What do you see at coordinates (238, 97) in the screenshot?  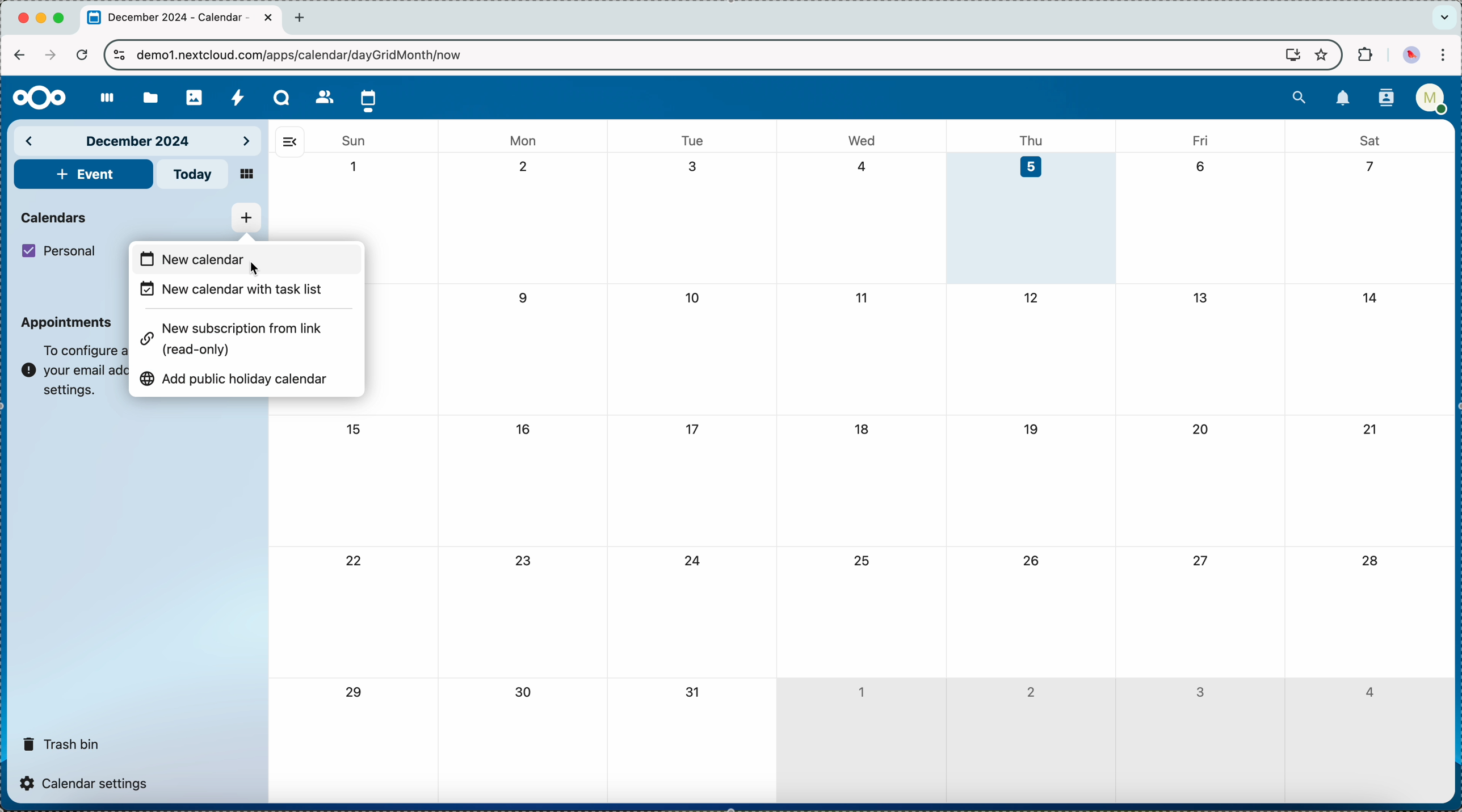 I see `activity` at bounding box center [238, 97].